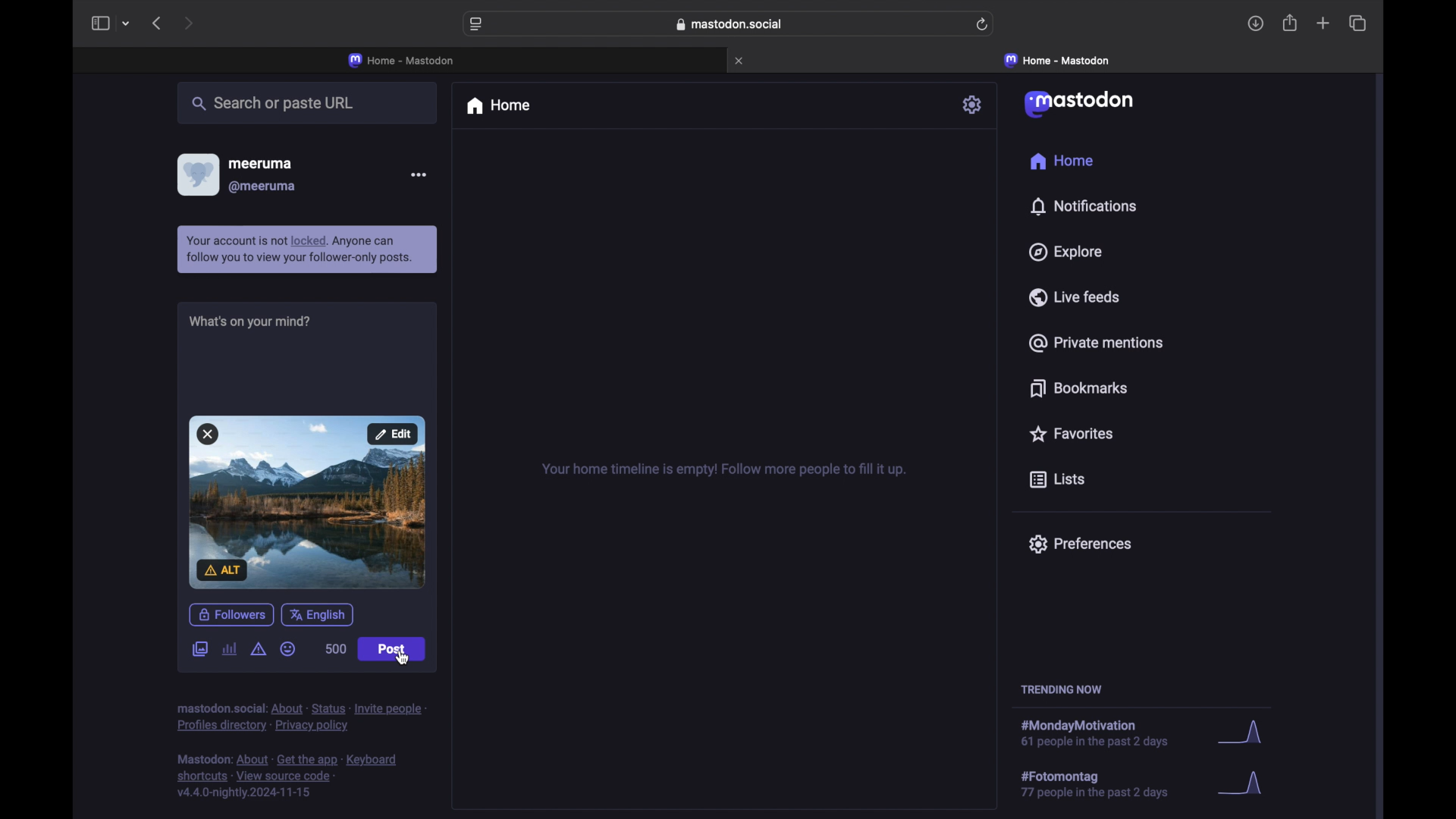  Describe the element at coordinates (1061, 161) in the screenshot. I see `home` at that location.